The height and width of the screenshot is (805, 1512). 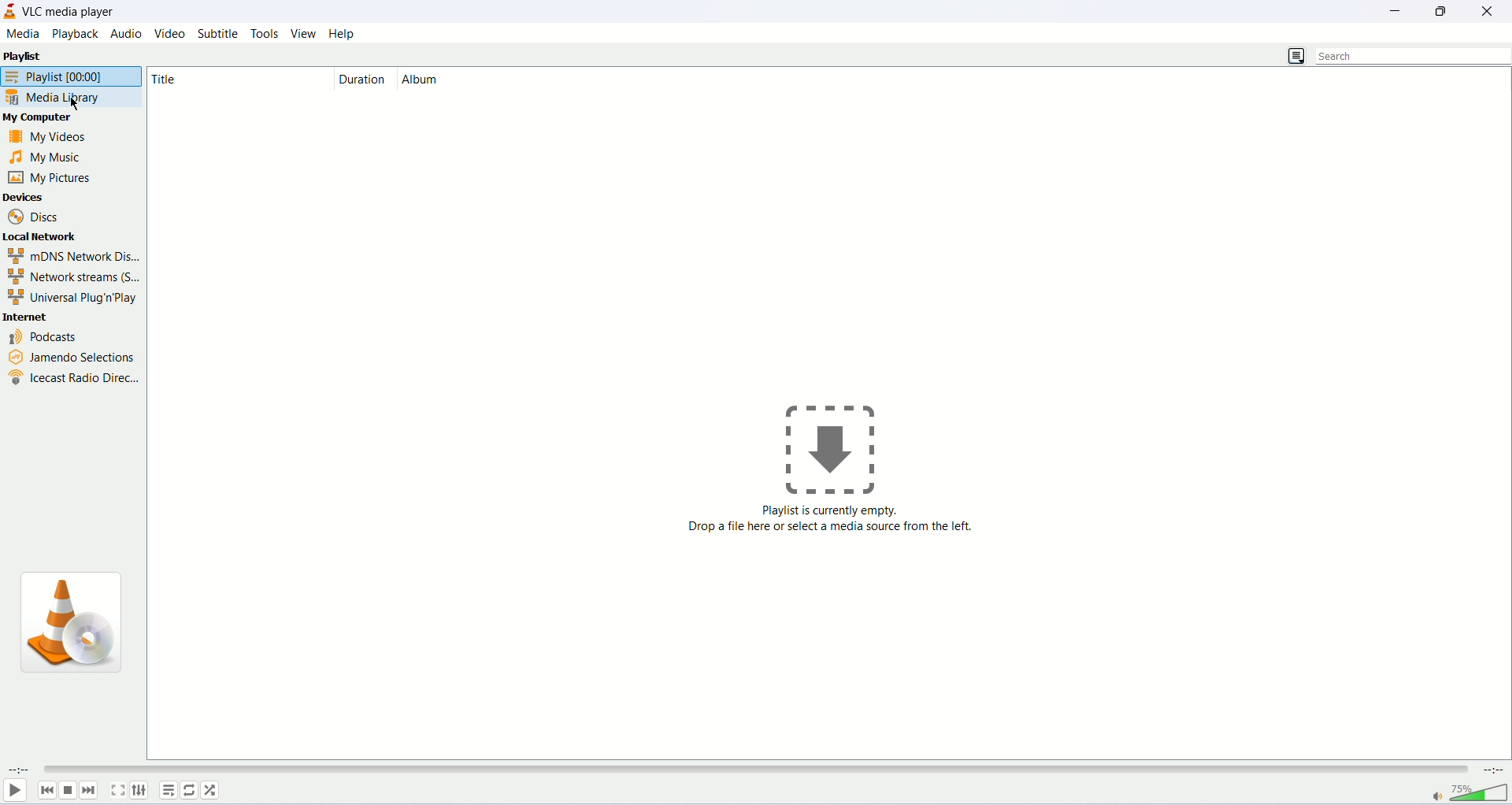 What do you see at coordinates (363, 78) in the screenshot?
I see `duration` at bounding box center [363, 78].